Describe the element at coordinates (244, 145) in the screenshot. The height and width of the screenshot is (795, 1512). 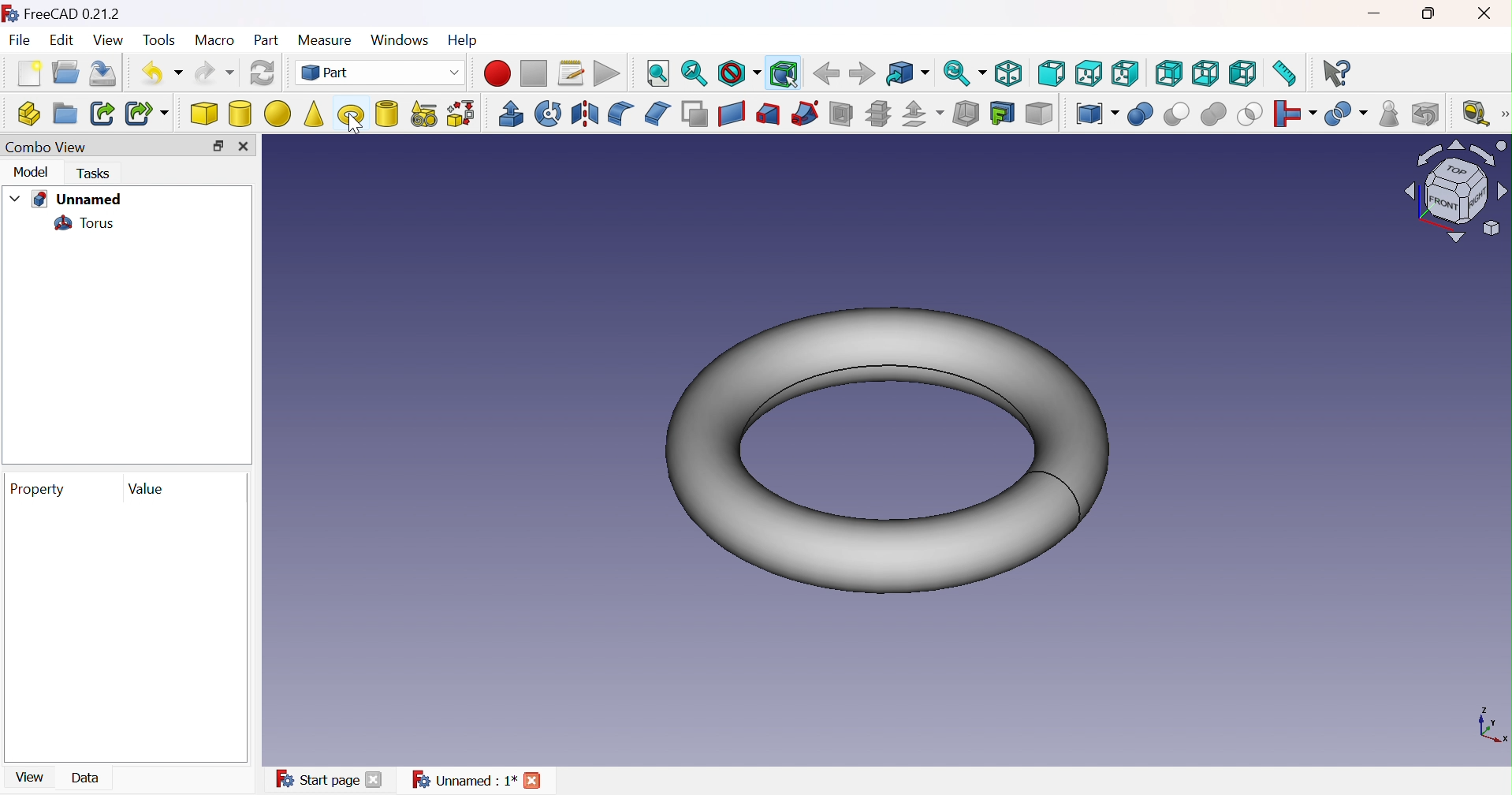
I see `Close` at that location.